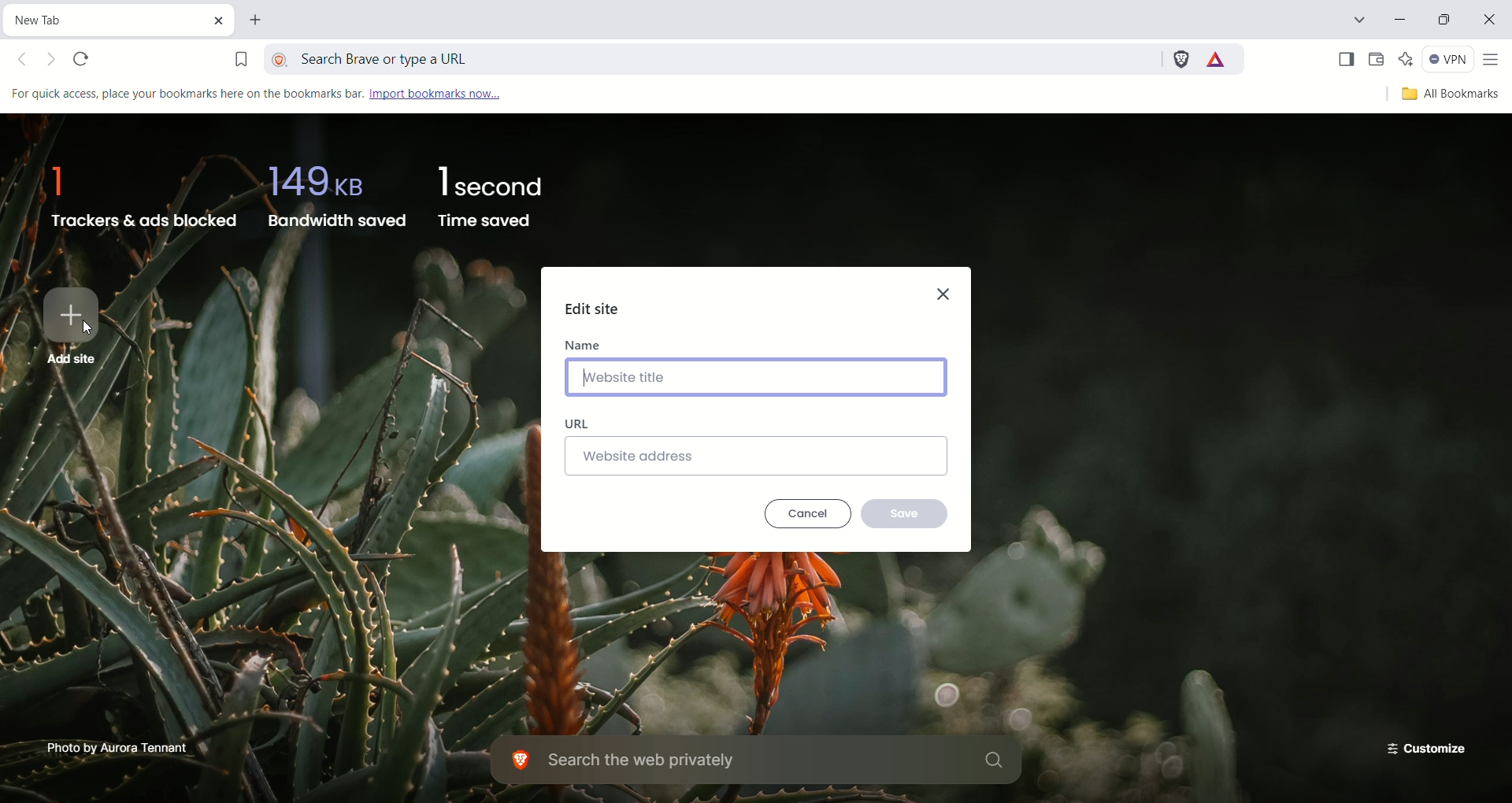 Image resolution: width=1512 pixels, height=803 pixels. Describe the element at coordinates (138, 191) in the screenshot. I see `trackers & ads blocked` at that location.